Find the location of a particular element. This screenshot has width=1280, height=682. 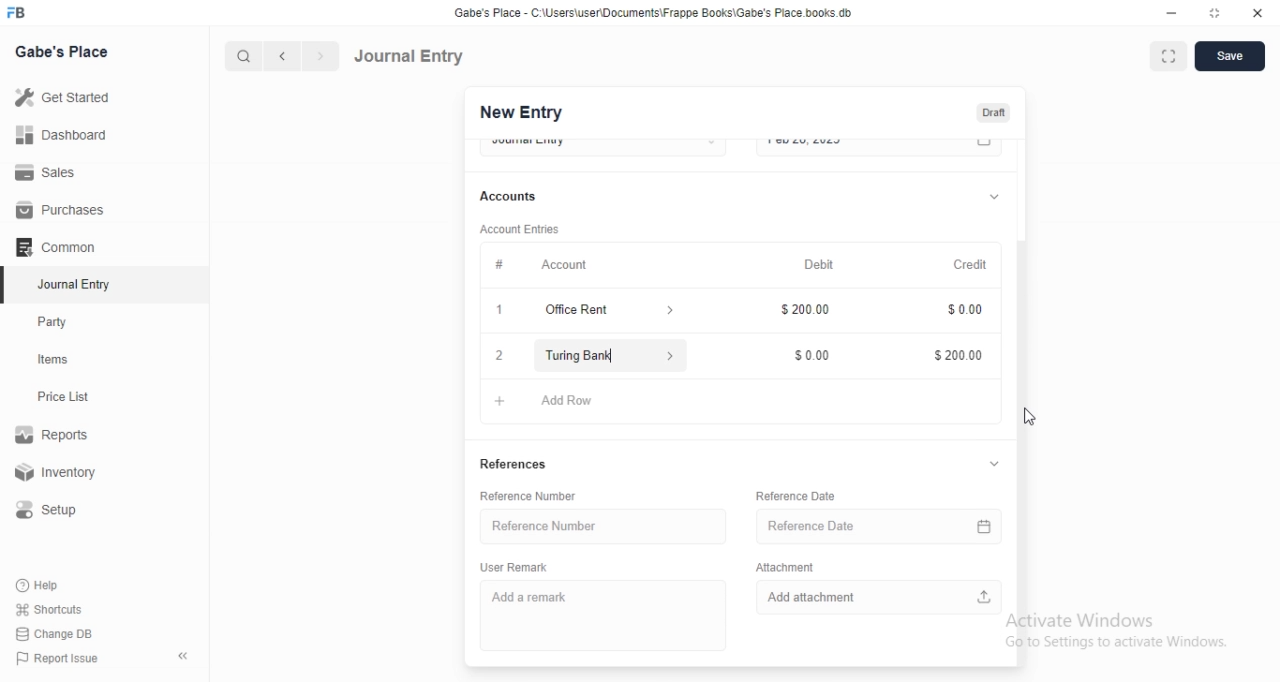

close is located at coordinates (1258, 11).